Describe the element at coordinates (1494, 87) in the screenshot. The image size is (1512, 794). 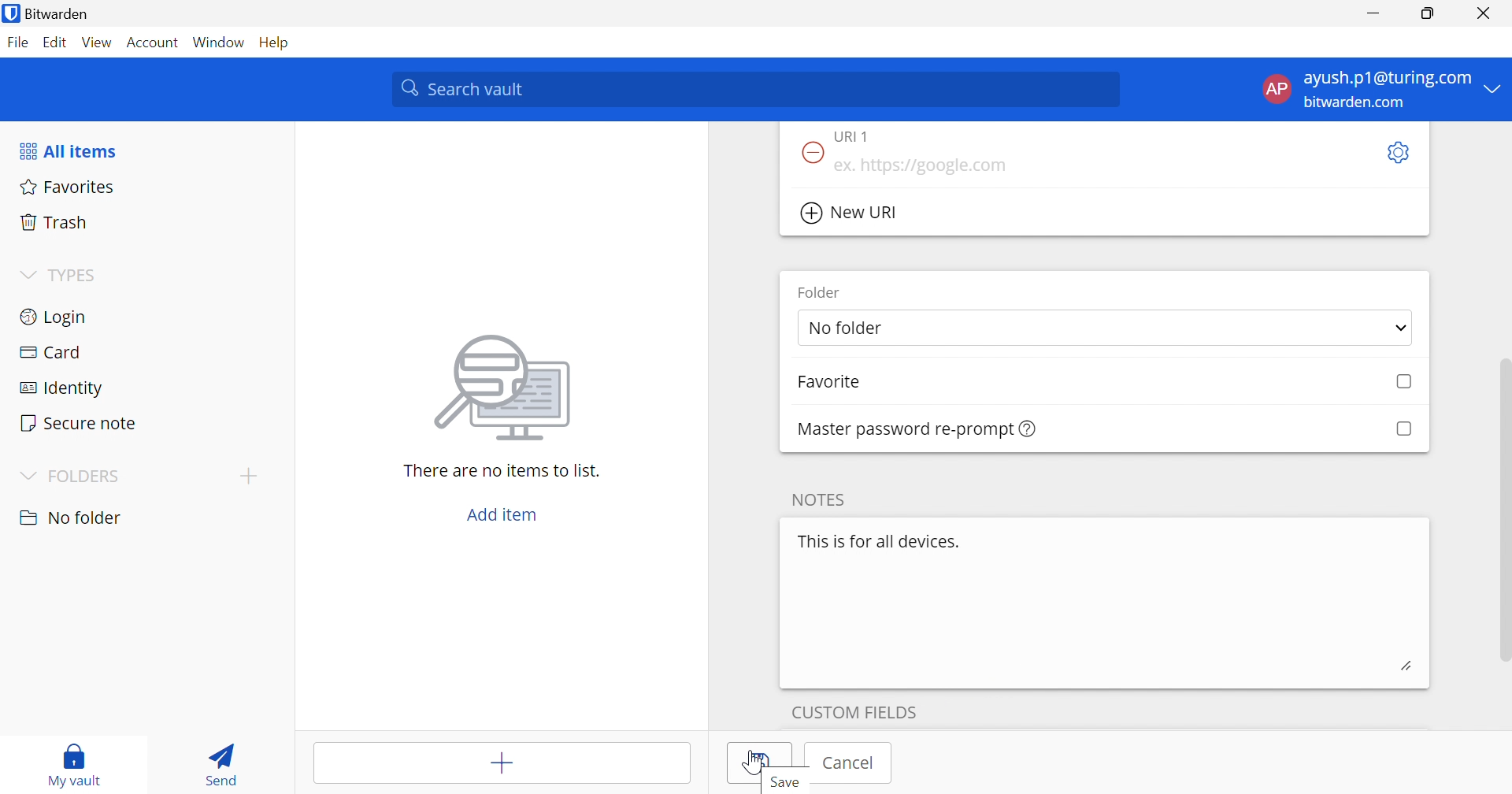
I see `Drop Down` at that location.